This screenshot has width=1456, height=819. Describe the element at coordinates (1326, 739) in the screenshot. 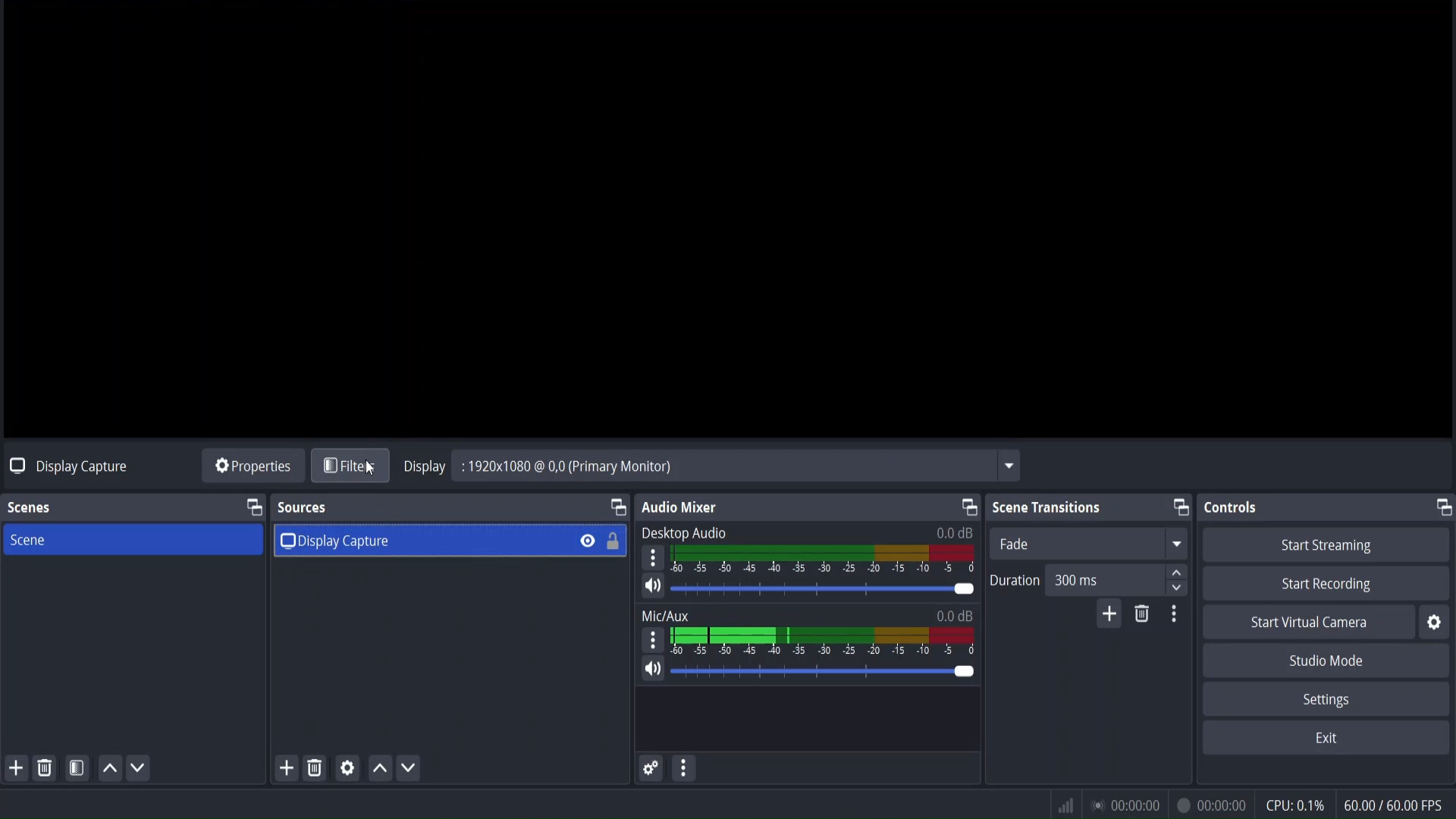

I see `exit` at that location.